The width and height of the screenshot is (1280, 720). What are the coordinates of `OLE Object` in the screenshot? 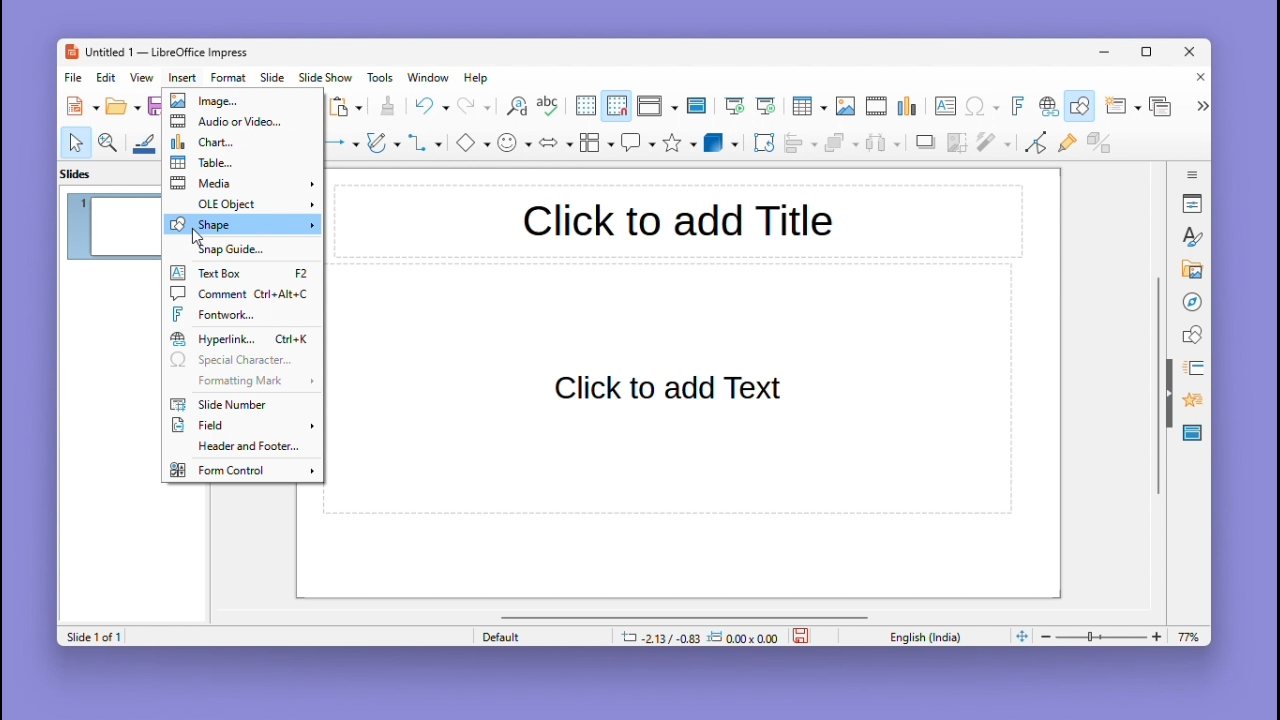 It's located at (242, 203).